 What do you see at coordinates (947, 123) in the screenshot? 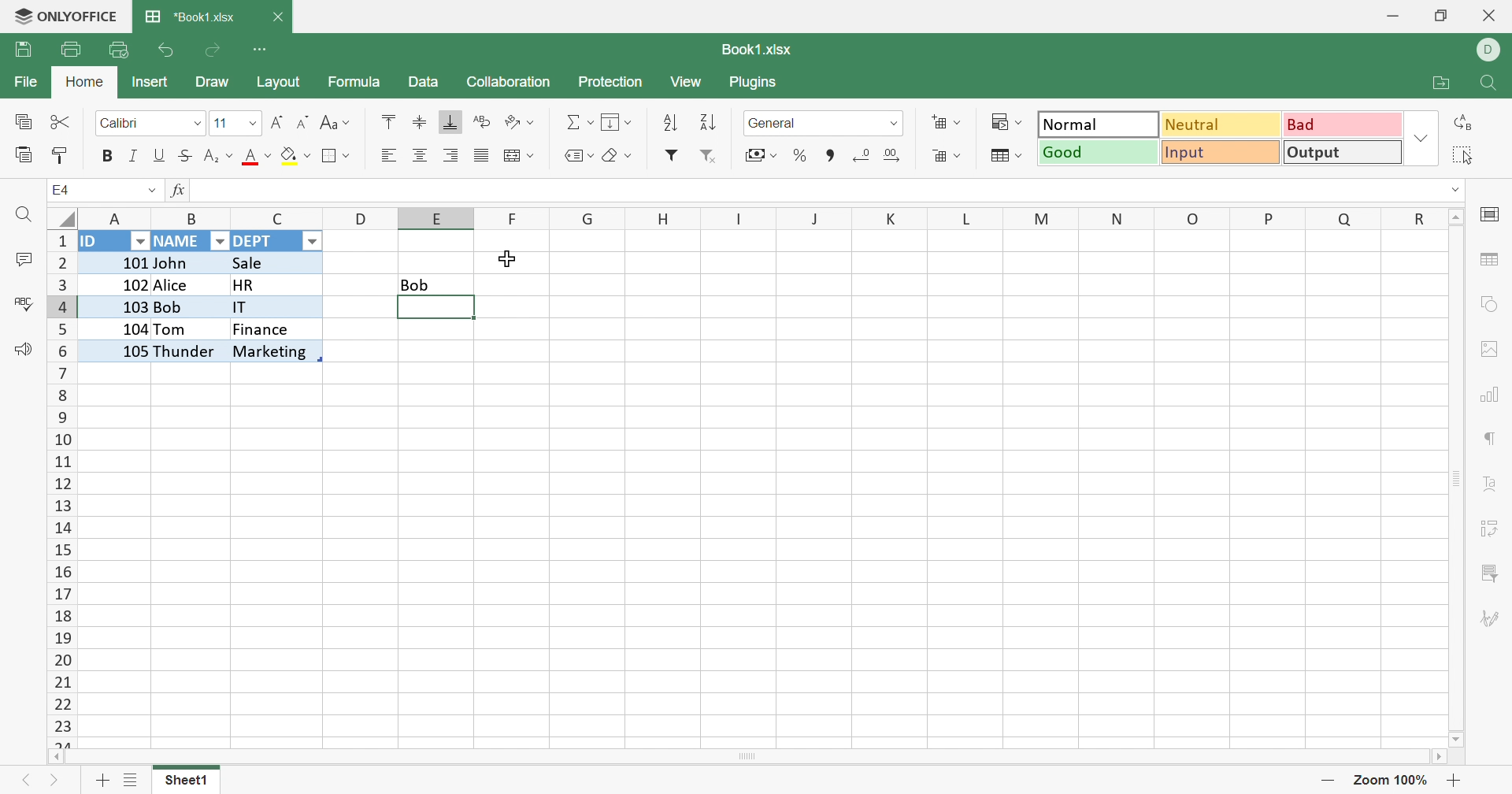
I see `Insert ` at bounding box center [947, 123].